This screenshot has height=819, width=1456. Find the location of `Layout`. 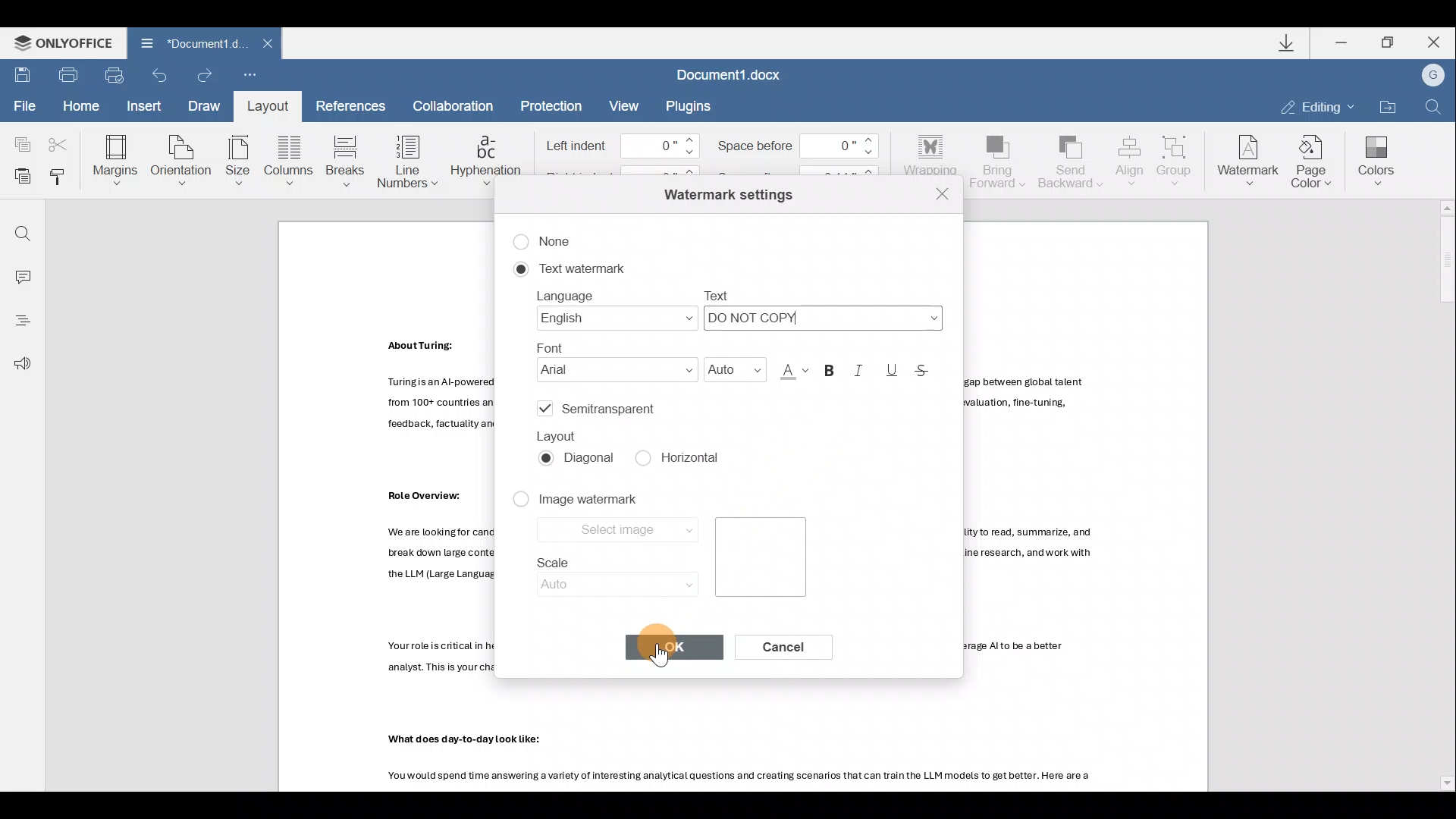

Layout is located at coordinates (561, 435).